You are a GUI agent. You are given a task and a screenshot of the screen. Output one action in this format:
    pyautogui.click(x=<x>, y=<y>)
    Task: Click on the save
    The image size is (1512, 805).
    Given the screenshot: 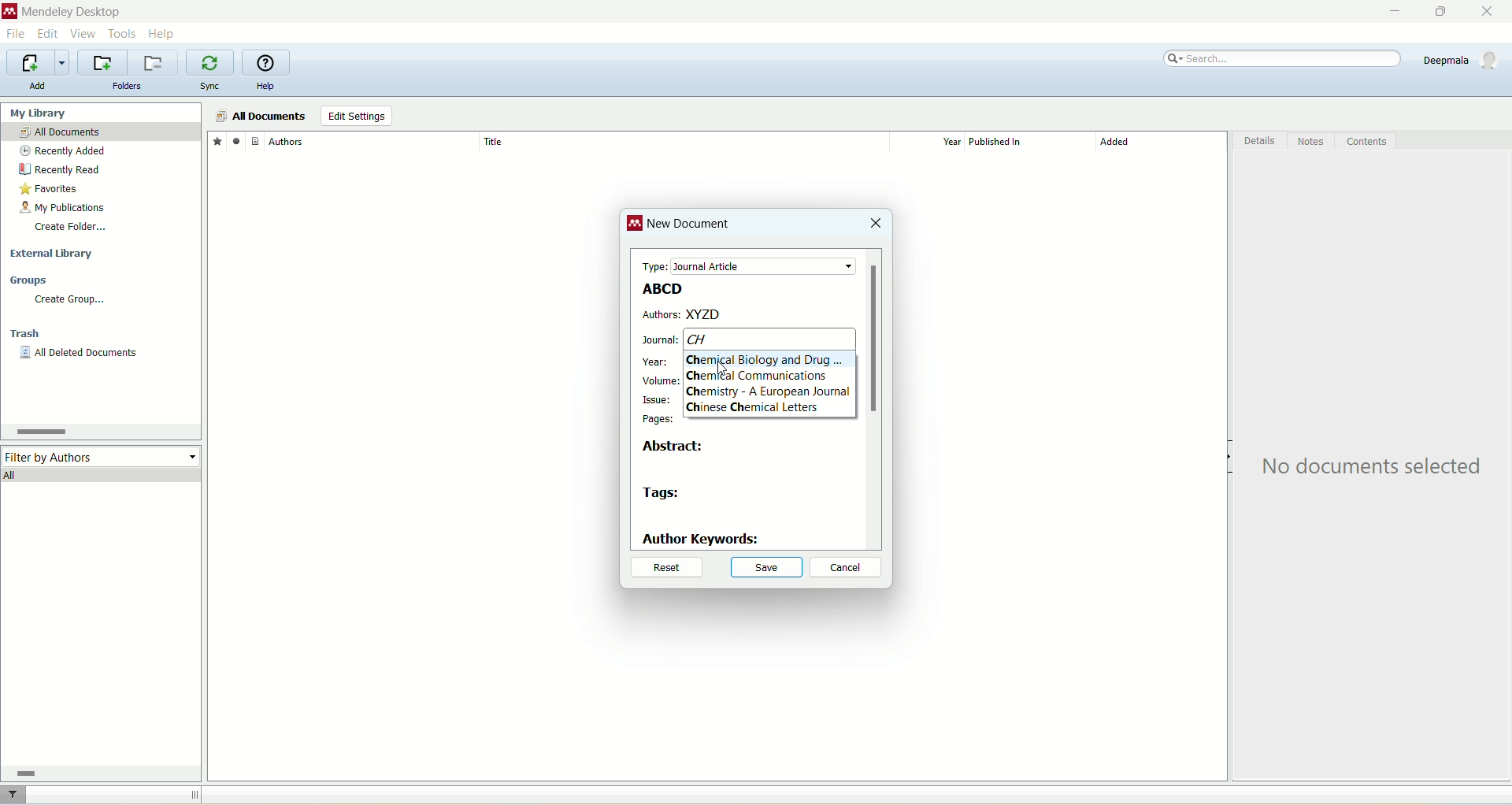 What is the action you would take?
    pyautogui.click(x=767, y=566)
    